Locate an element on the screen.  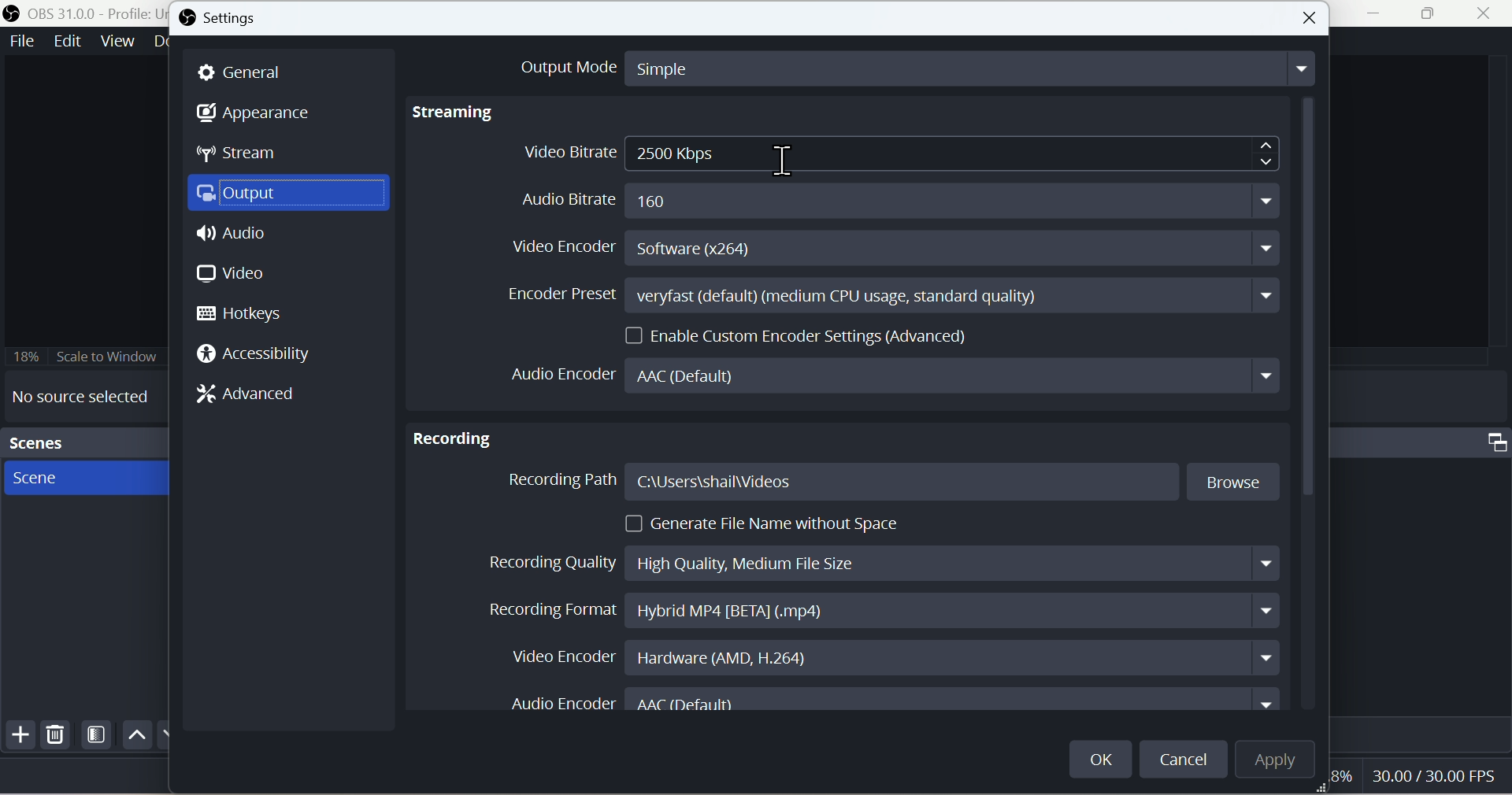
Generate File Name without Space is located at coordinates (768, 523).